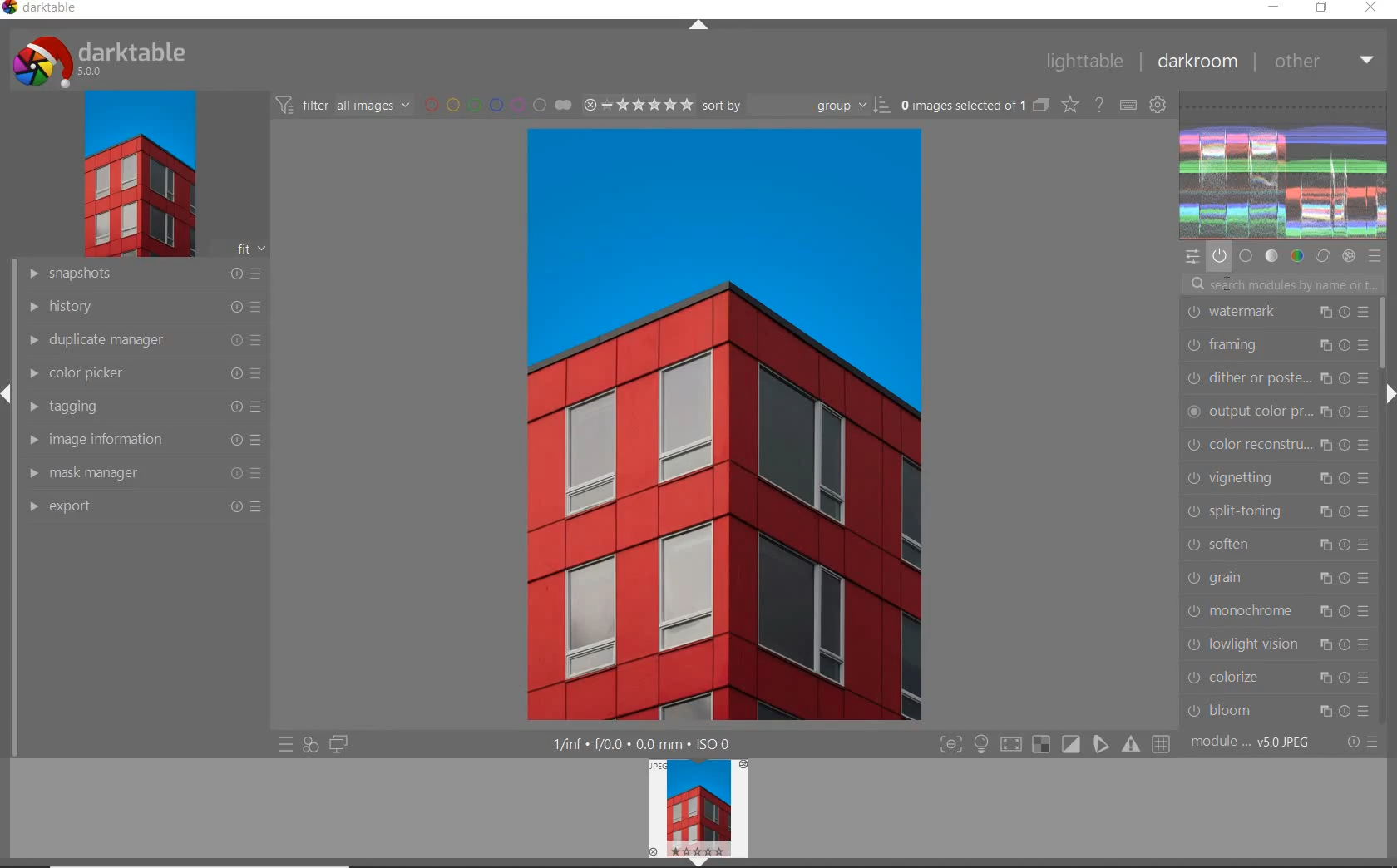 The height and width of the screenshot is (868, 1397). Describe the element at coordinates (1252, 742) in the screenshot. I see `module order` at that location.